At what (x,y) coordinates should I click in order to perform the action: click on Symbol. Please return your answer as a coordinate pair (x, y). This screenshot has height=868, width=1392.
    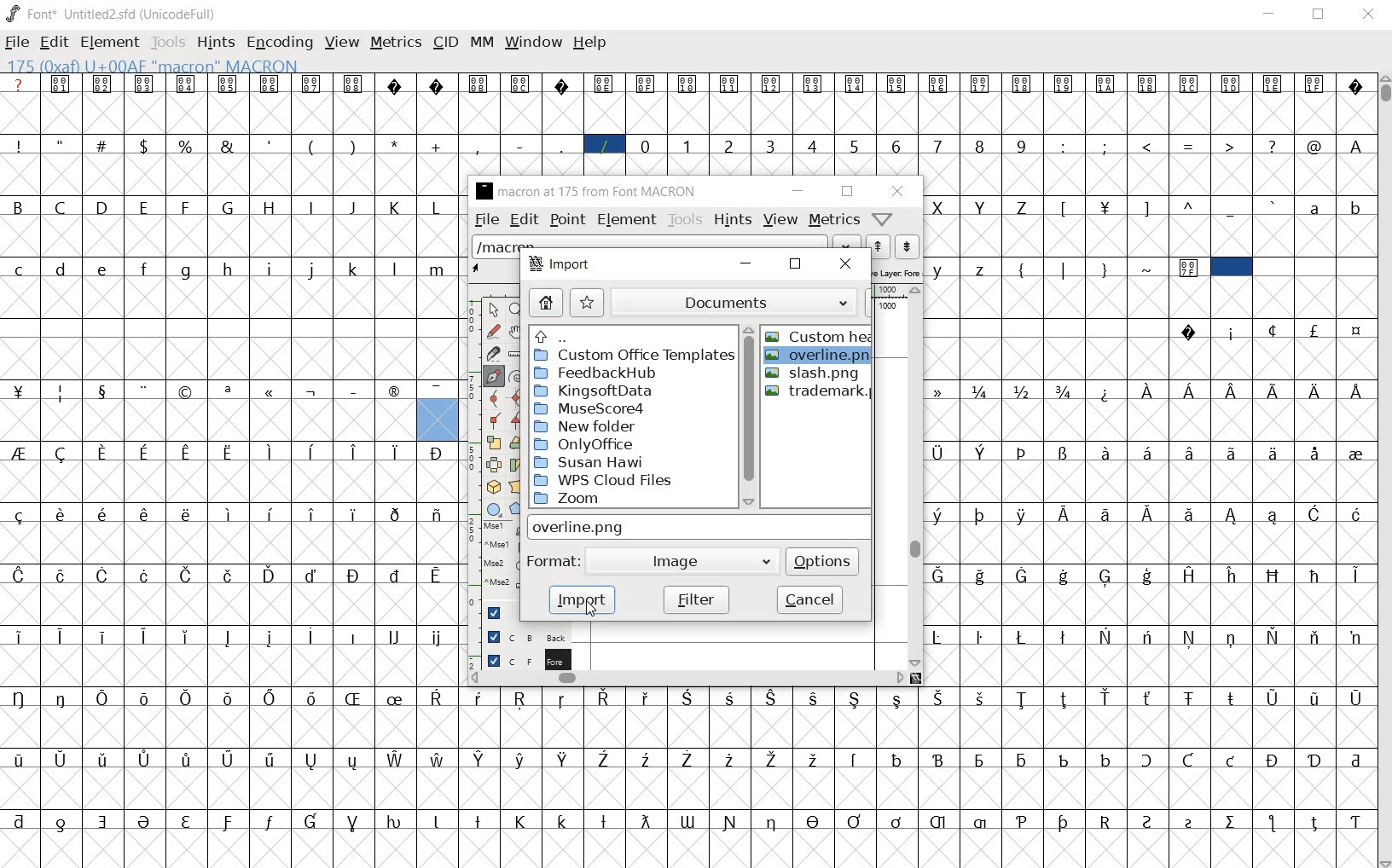
    Looking at the image, I should click on (1315, 574).